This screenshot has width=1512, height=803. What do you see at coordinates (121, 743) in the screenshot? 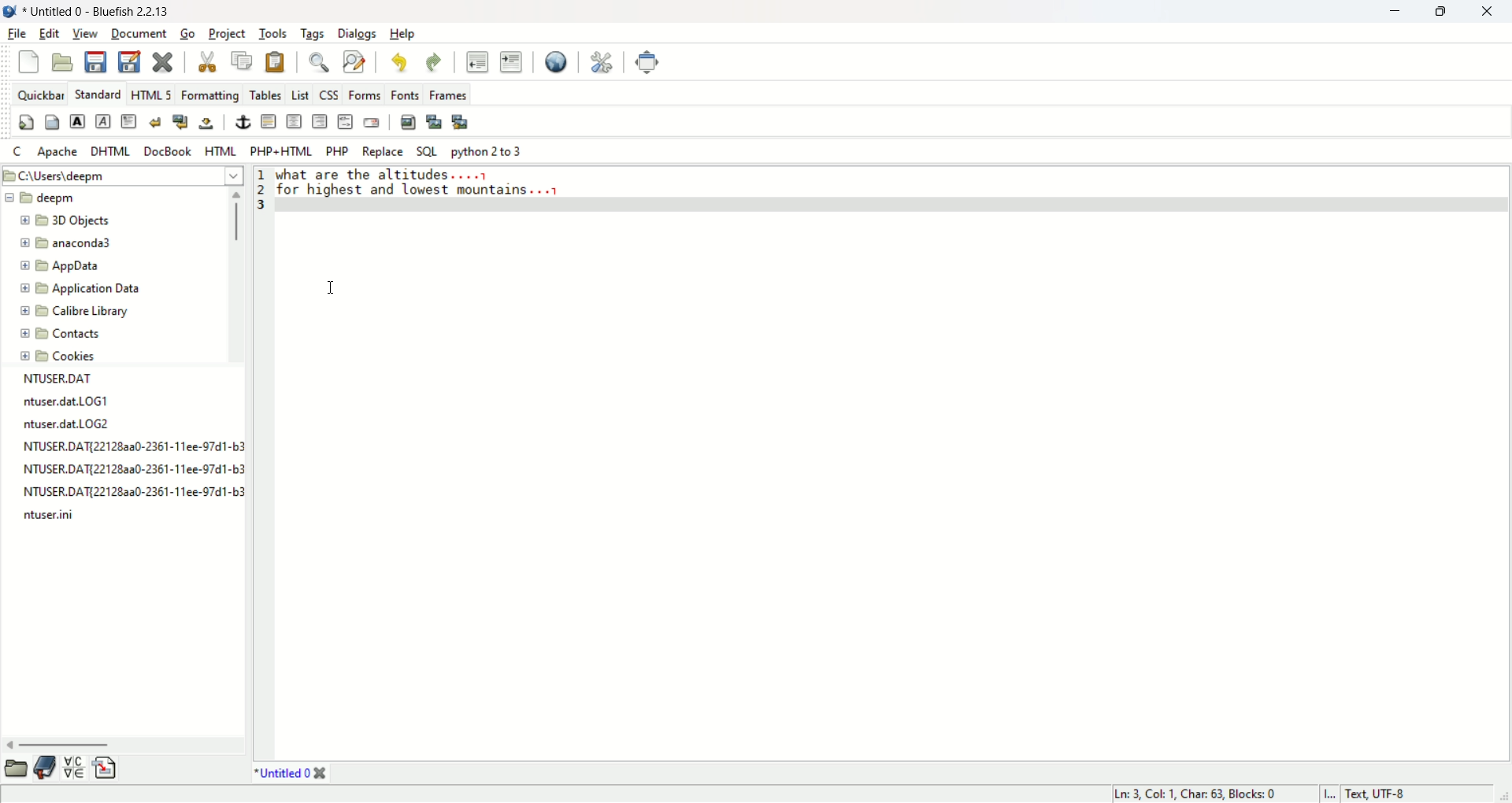
I see `horizontal scroll bar` at bounding box center [121, 743].